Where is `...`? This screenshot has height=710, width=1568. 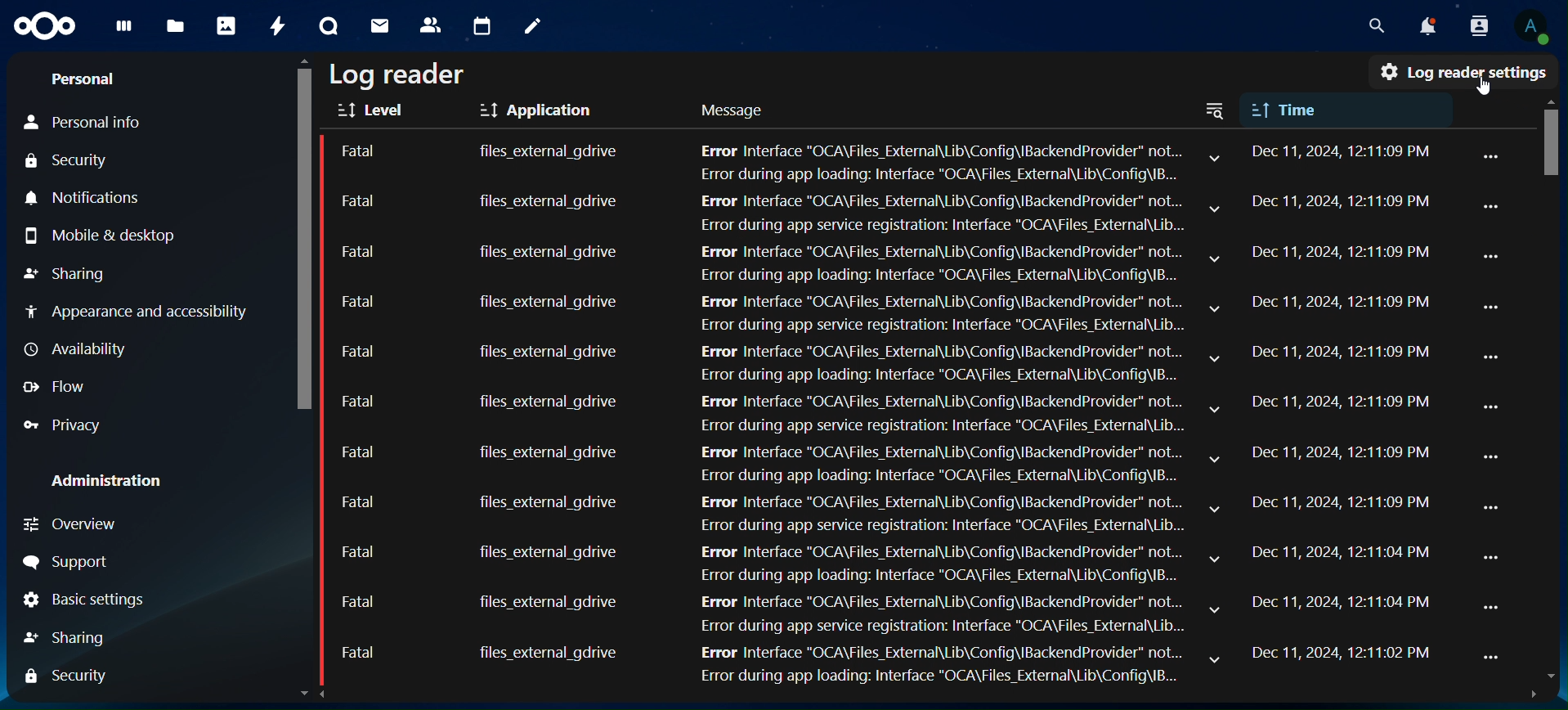 ... is located at coordinates (1494, 659).